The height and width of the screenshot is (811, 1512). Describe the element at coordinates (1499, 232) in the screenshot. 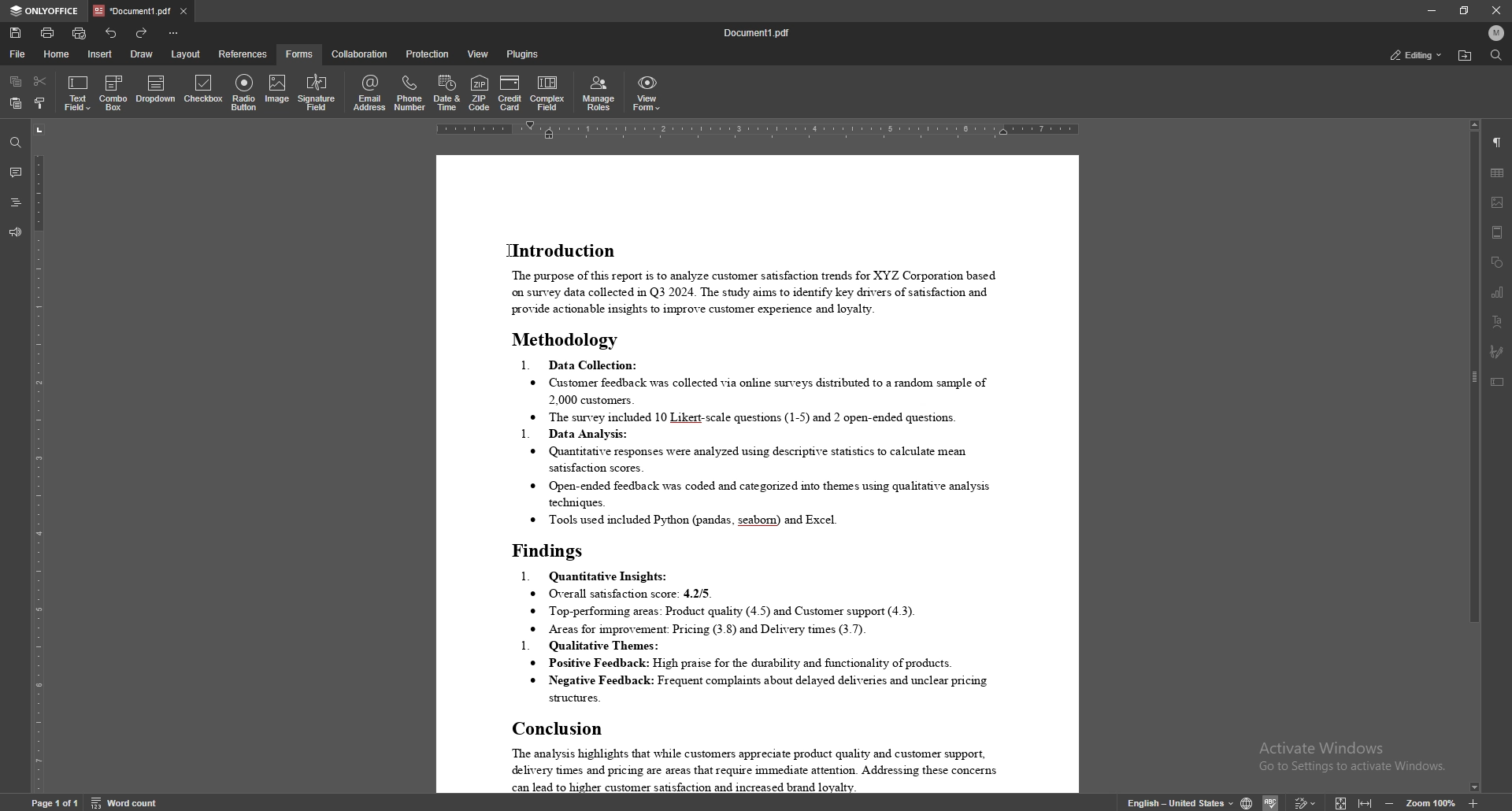

I see `header/footer` at that location.